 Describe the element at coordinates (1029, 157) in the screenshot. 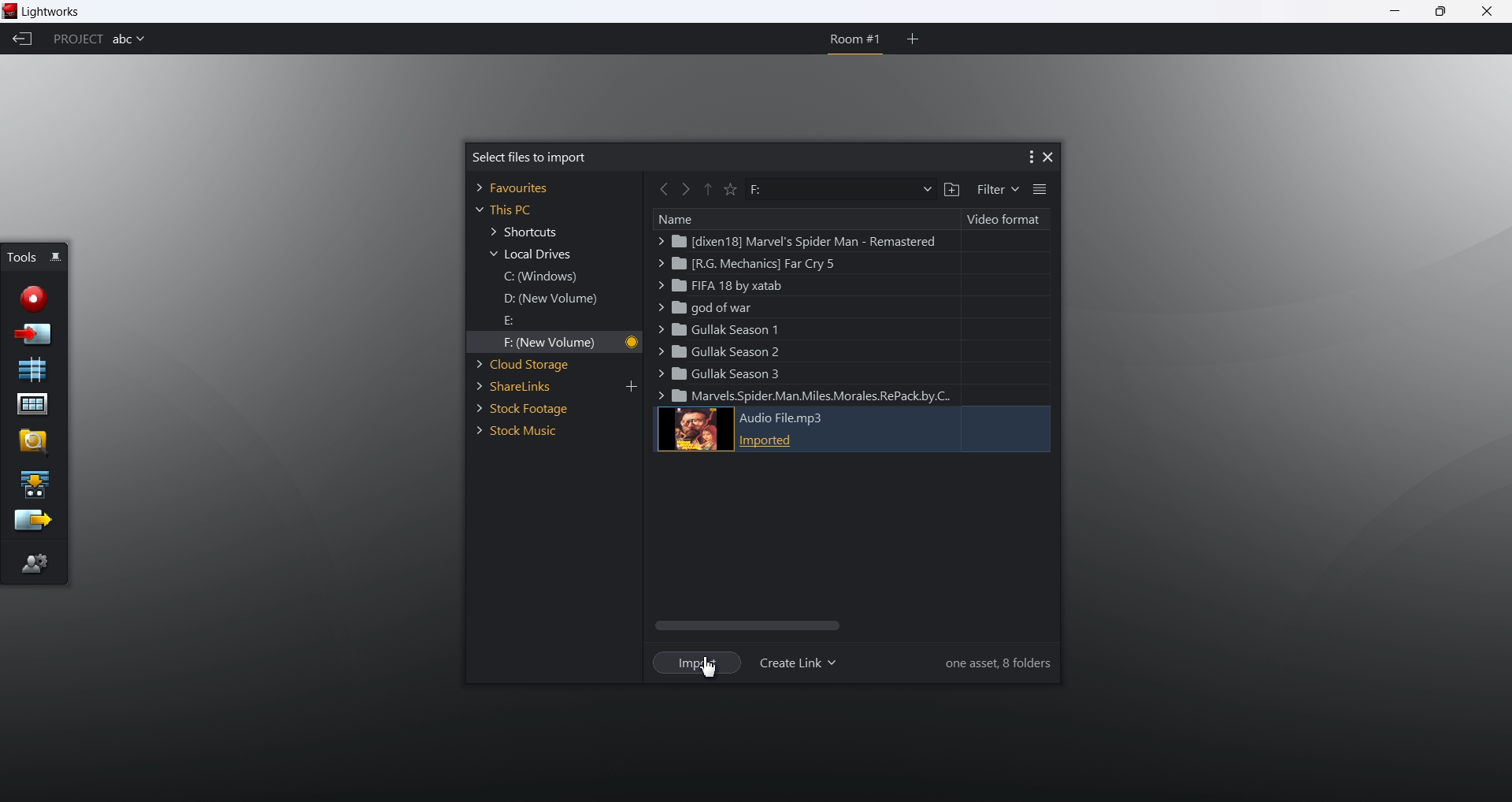

I see `more` at that location.